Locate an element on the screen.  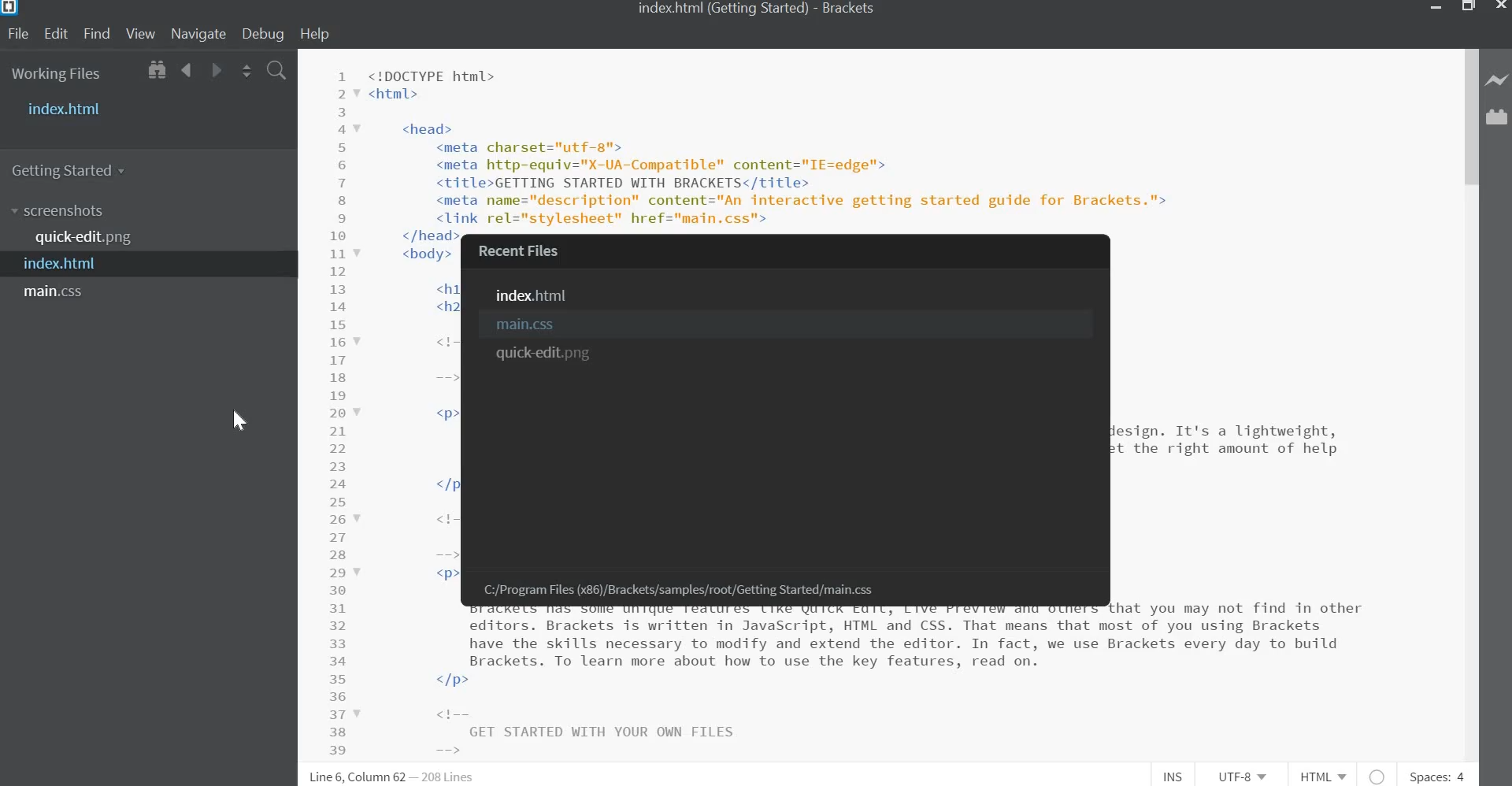
Spaces is located at coordinates (1436, 777).